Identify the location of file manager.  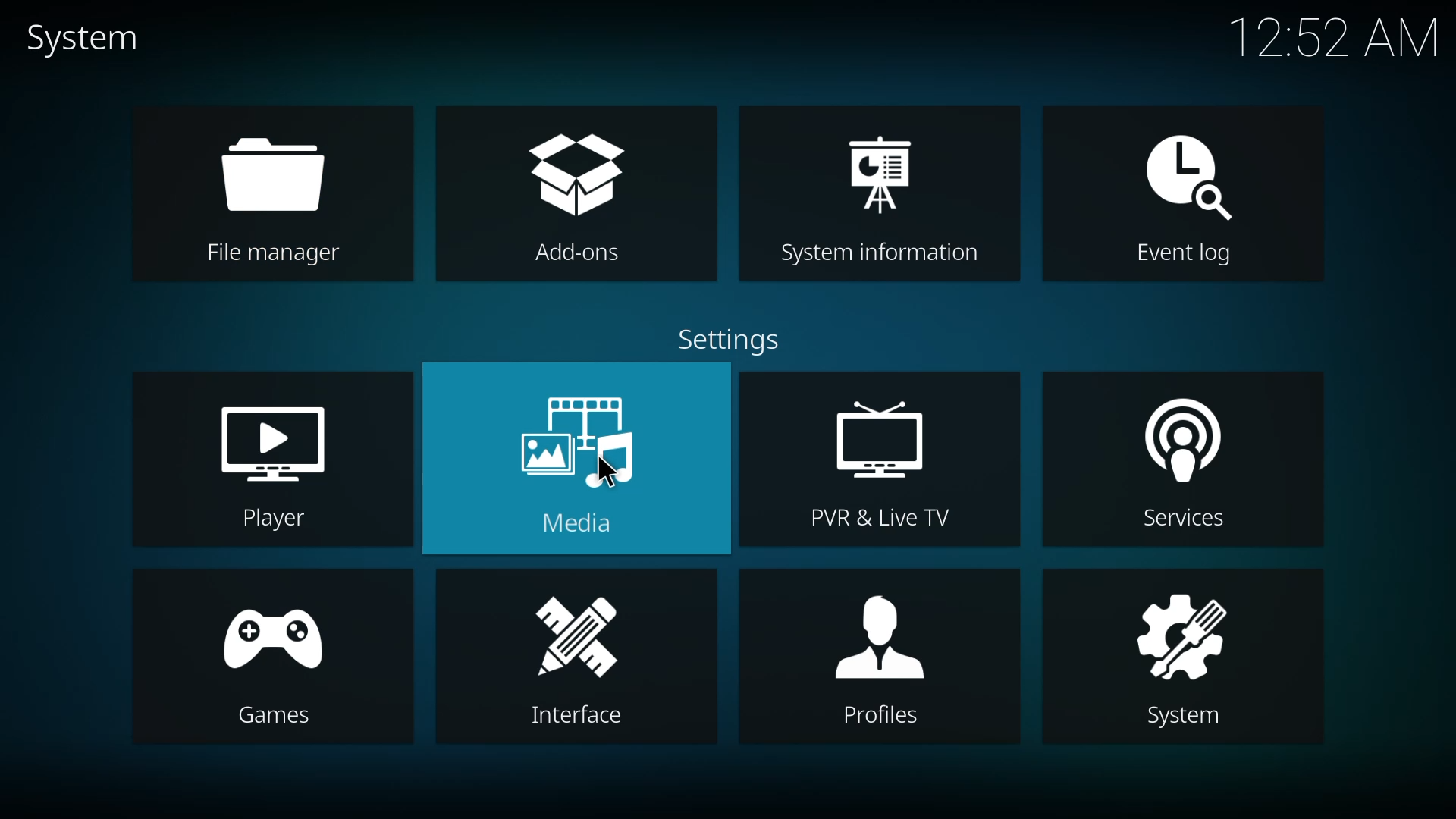
(280, 170).